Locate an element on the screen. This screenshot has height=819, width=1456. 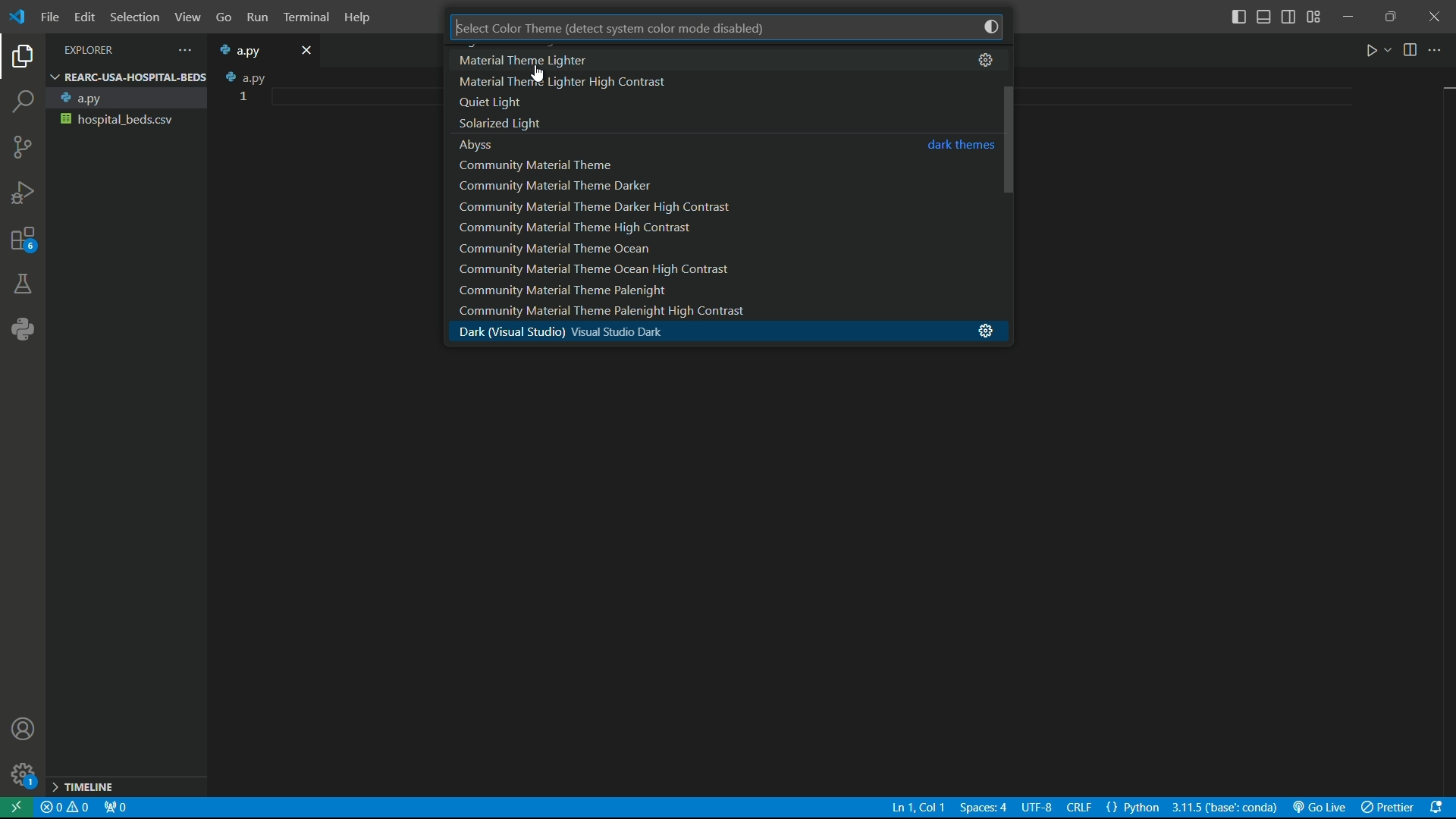
Go Live is located at coordinates (1319, 808).